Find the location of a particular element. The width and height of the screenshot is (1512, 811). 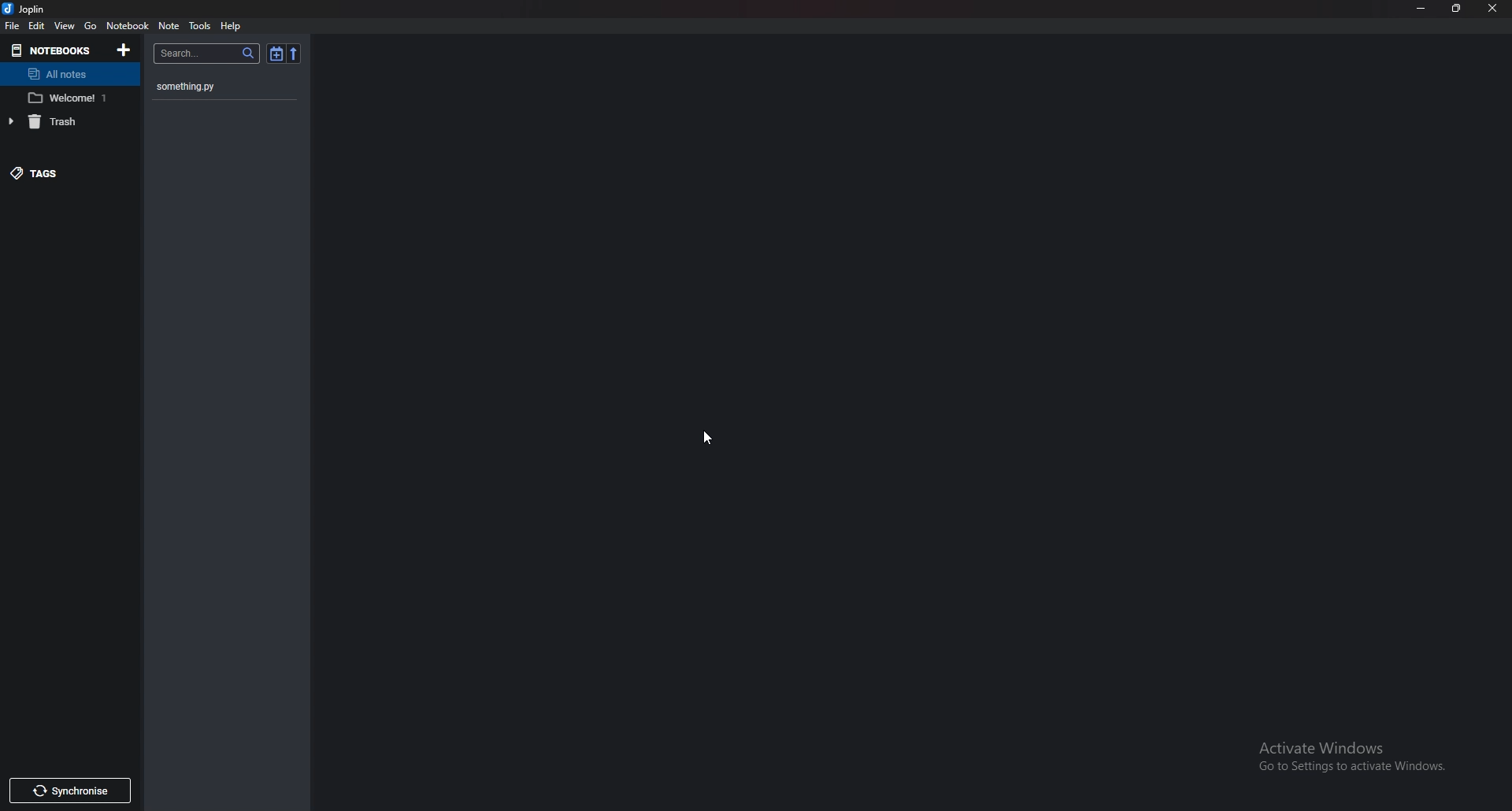

close is located at coordinates (1490, 8).